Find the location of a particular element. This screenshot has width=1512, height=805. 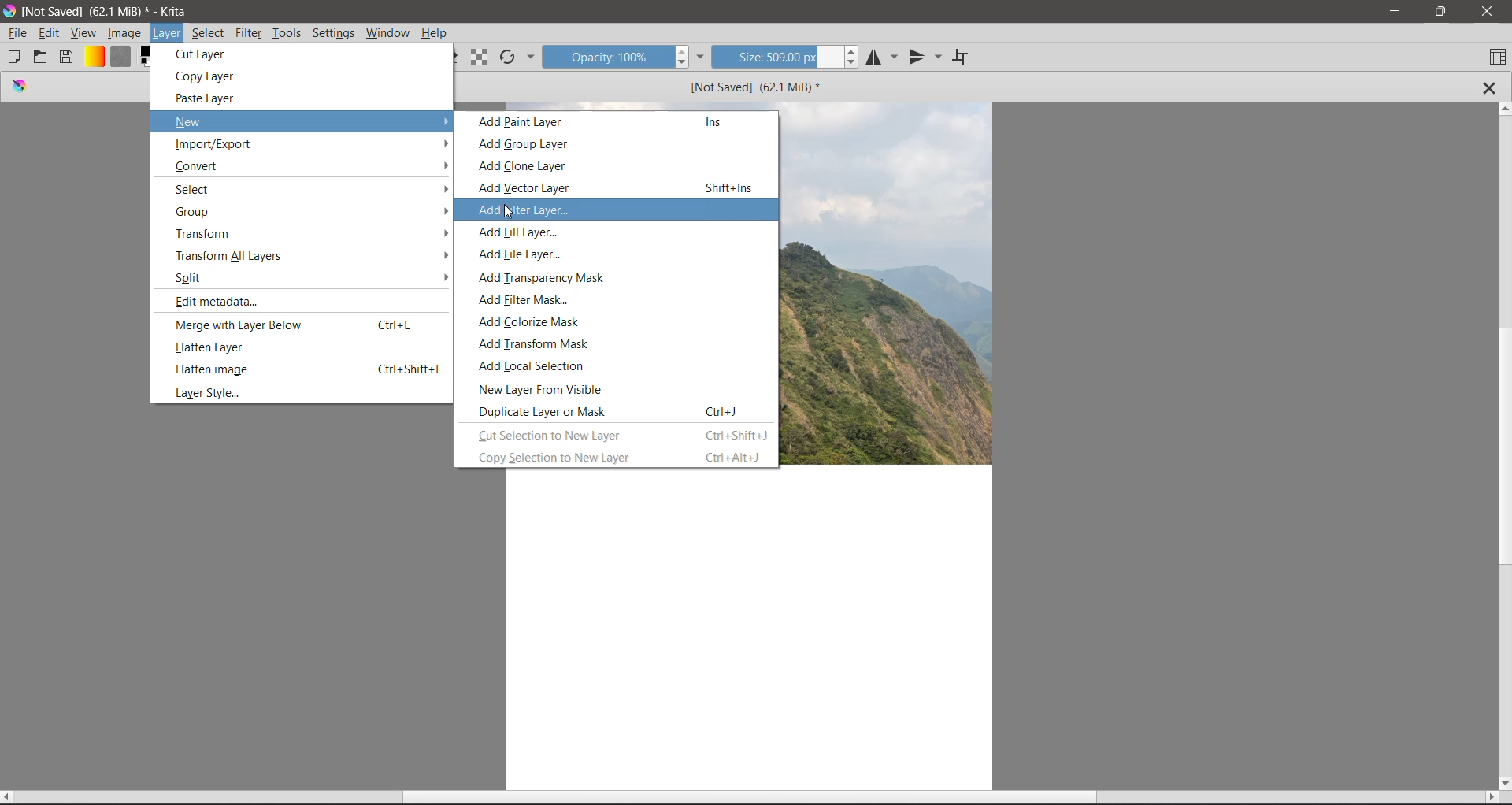

Help is located at coordinates (434, 33).